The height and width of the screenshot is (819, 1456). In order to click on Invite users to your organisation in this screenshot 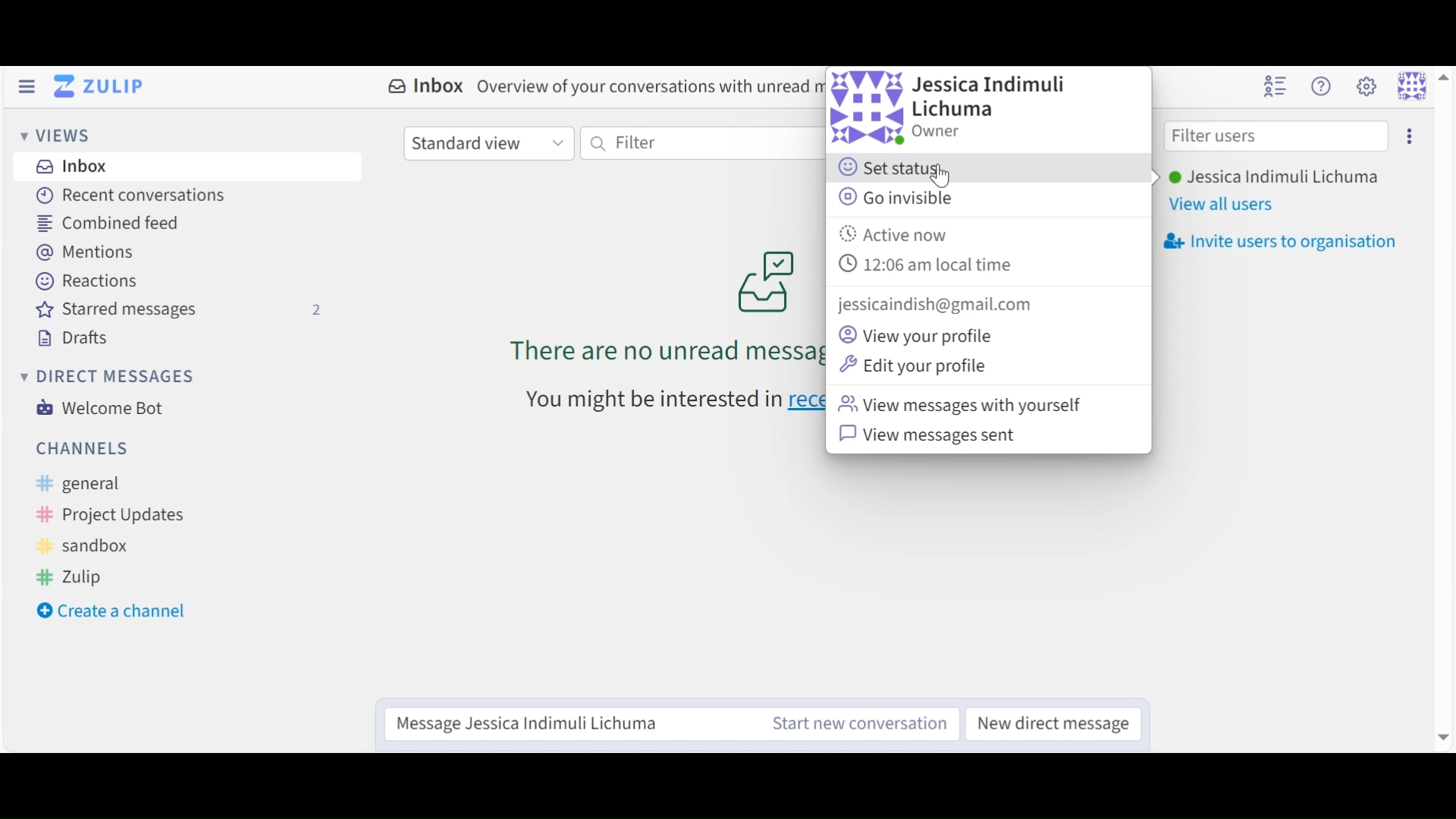, I will do `click(1279, 242)`.